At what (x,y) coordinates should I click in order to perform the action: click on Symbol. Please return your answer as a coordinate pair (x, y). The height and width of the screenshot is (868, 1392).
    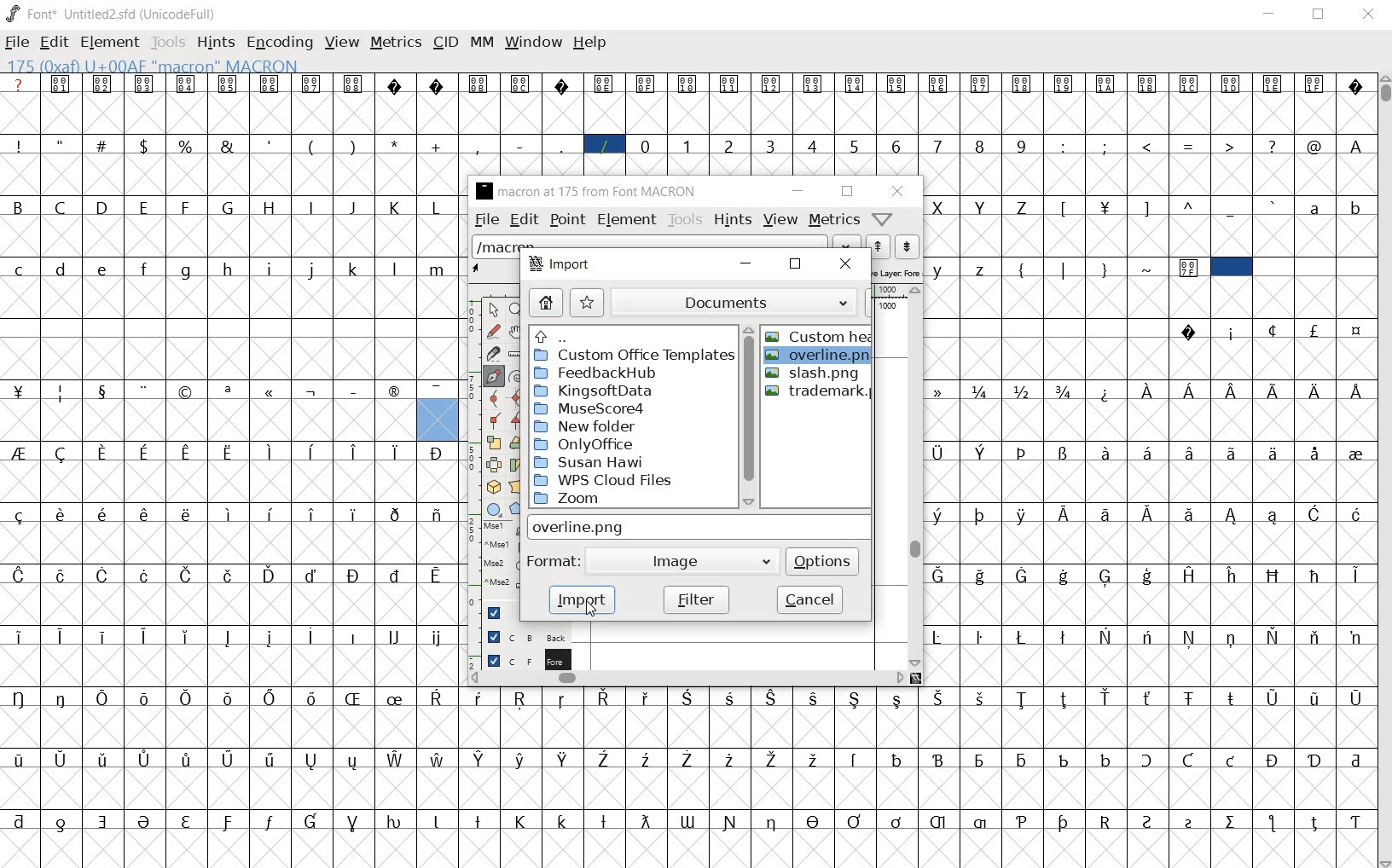
    Looking at the image, I should click on (231, 451).